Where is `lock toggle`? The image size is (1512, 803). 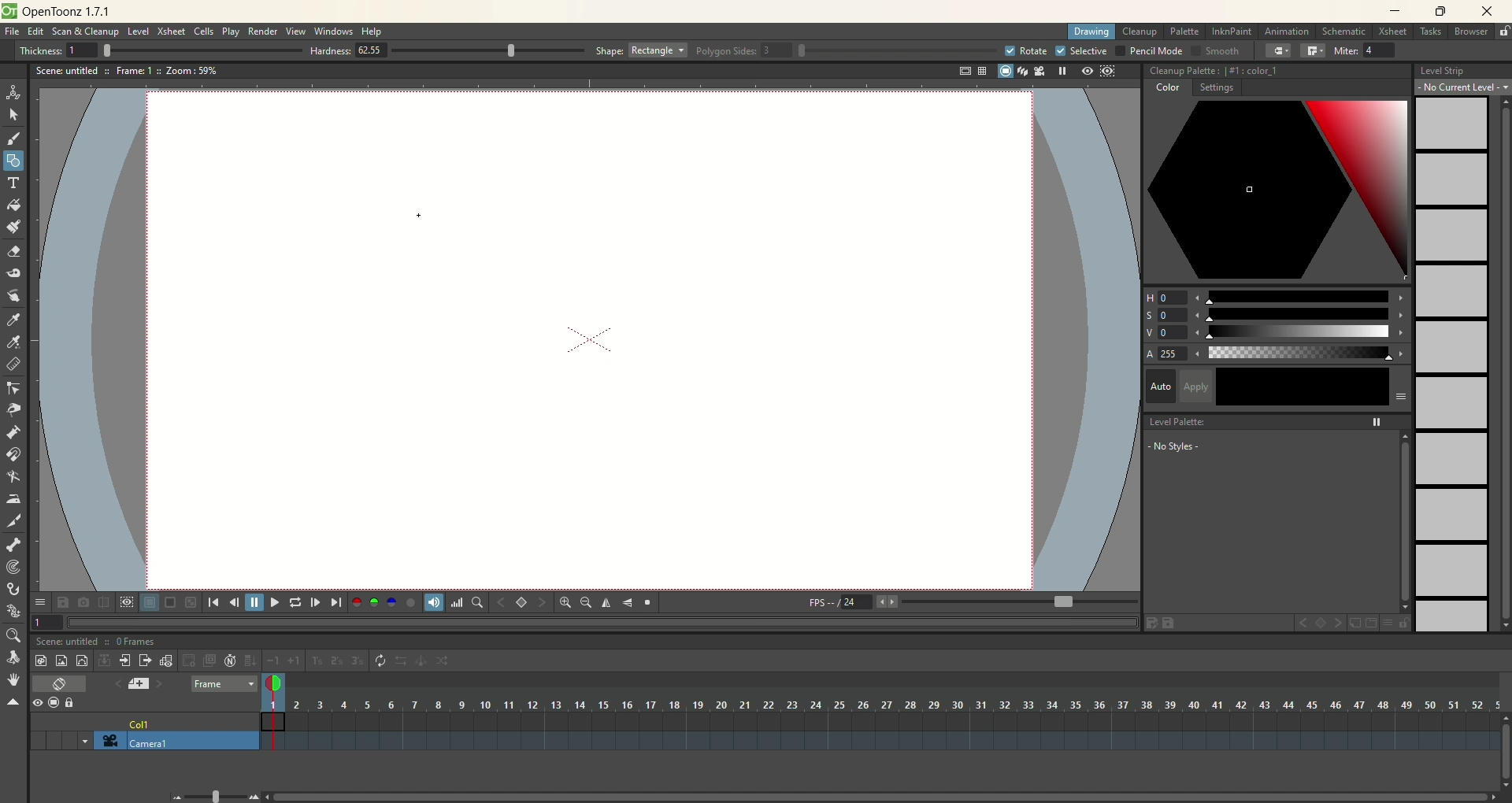
lock toggle is located at coordinates (76, 702).